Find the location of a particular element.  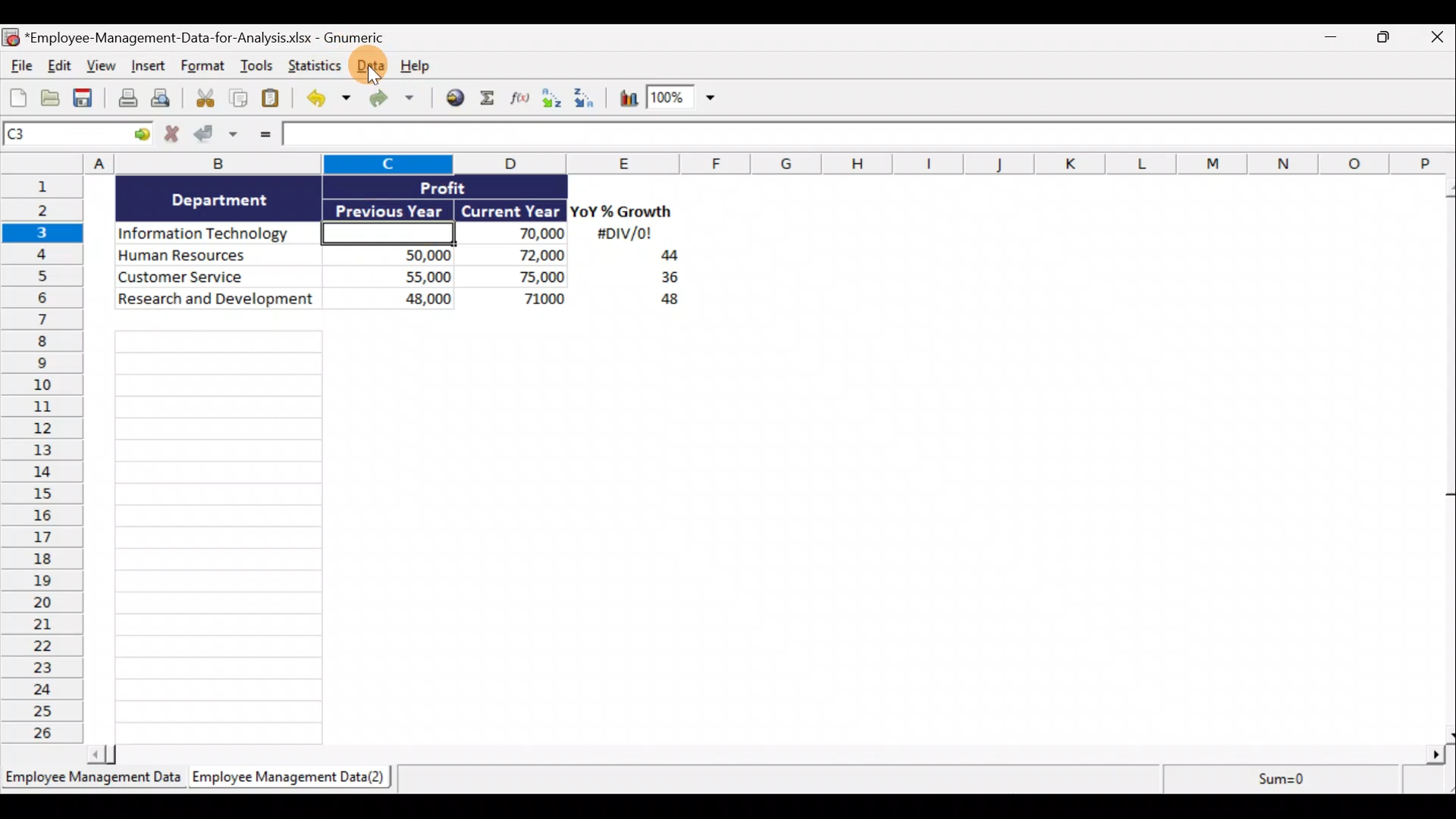

Redo undone action is located at coordinates (398, 99).